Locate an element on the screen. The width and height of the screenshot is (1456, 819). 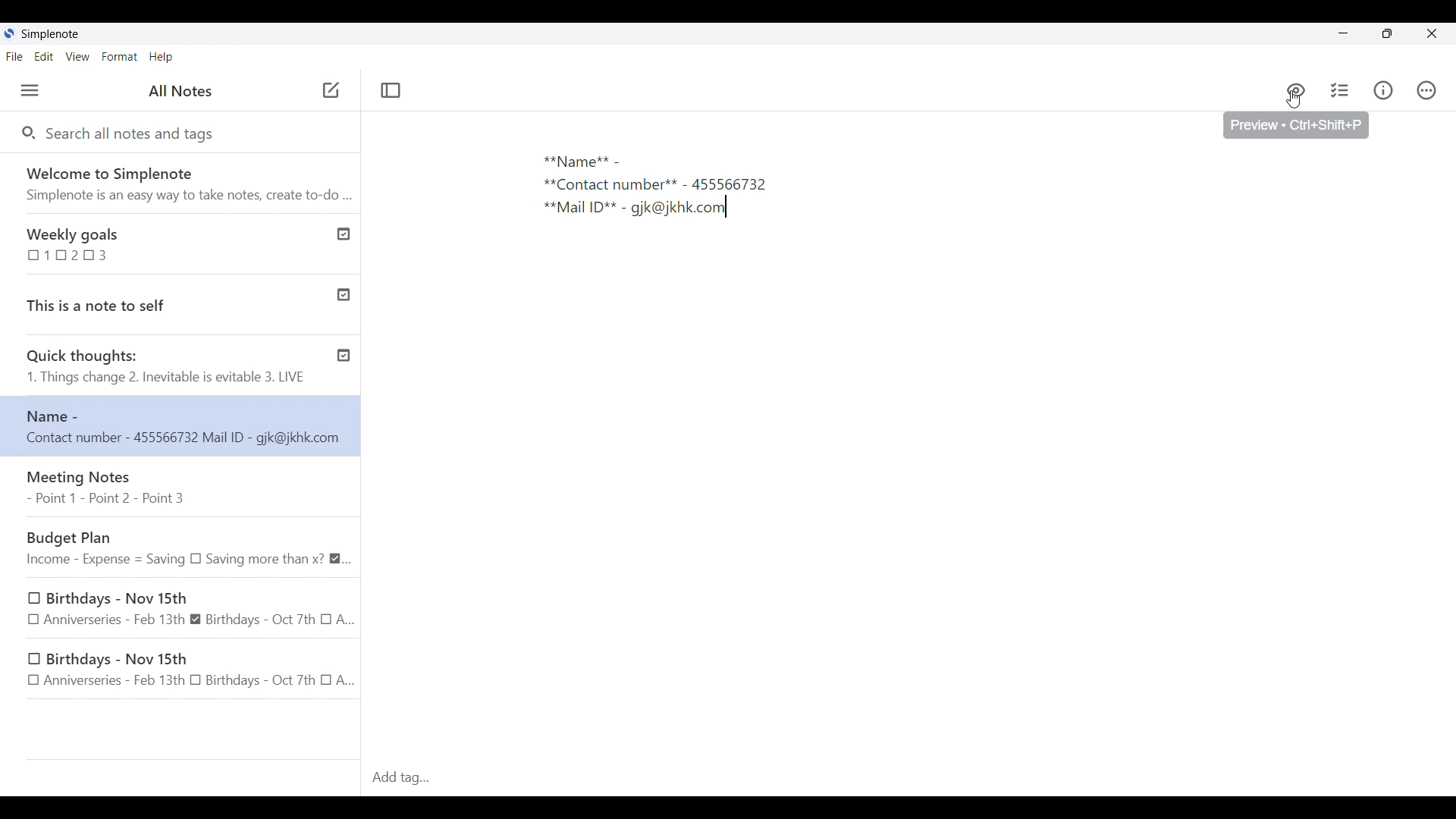
Minimize is located at coordinates (1343, 33).